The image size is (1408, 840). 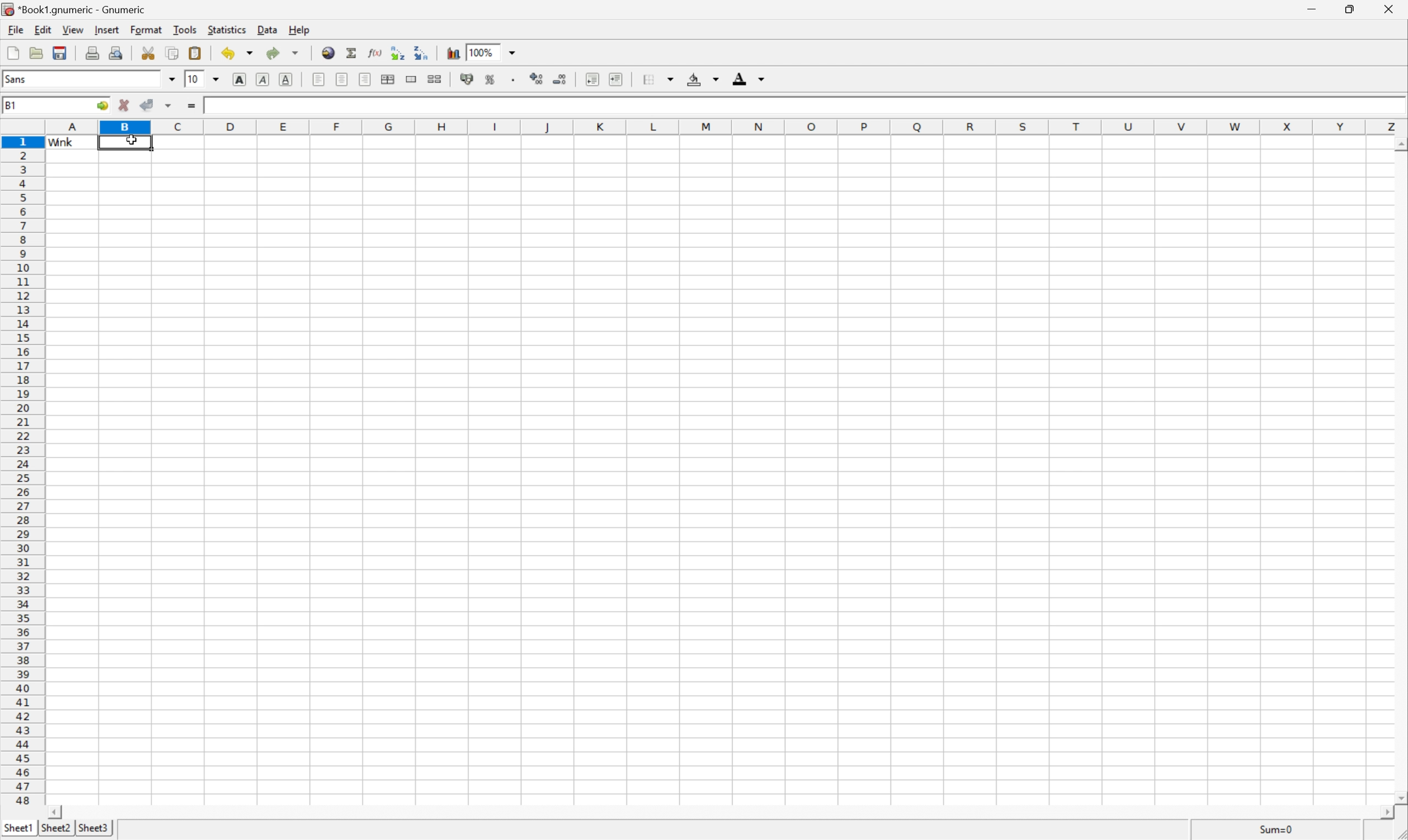 I want to click on Set the format of the selected cells to include a thousands separator, so click(x=513, y=79).